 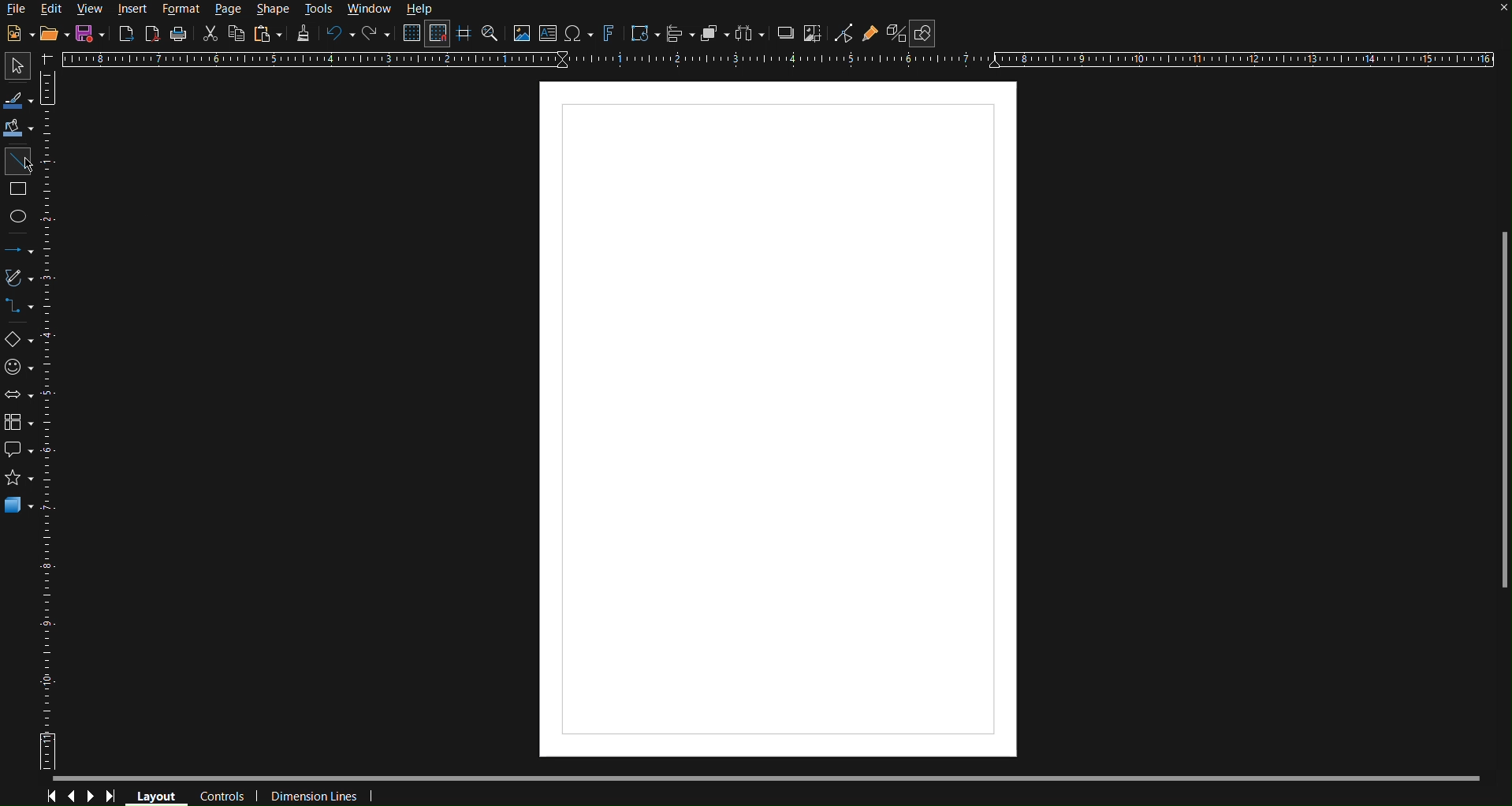 What do you see at coordinates (610, 33) in the screenshot?
I see `Fontworks` at bounding box center [610, 33].